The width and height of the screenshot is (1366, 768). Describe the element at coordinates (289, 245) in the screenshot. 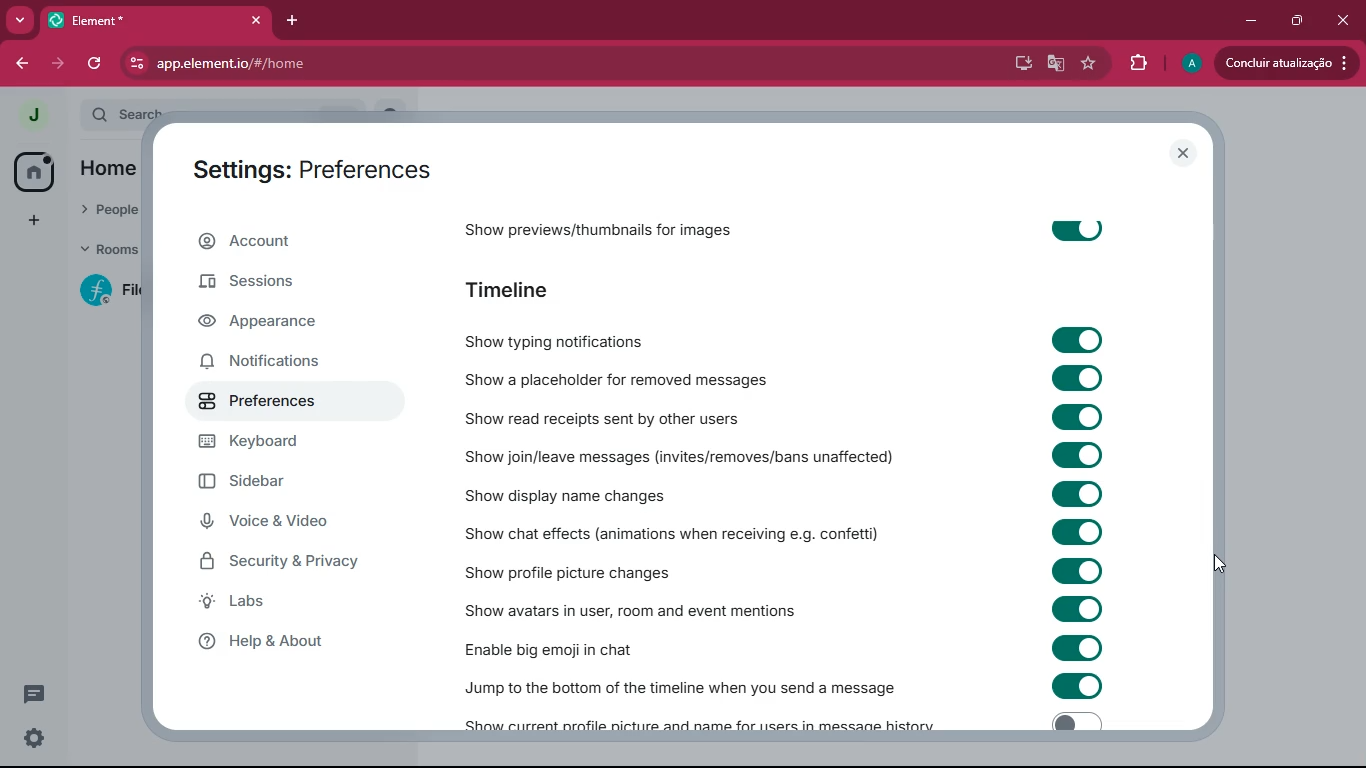

I see `account` at that location.